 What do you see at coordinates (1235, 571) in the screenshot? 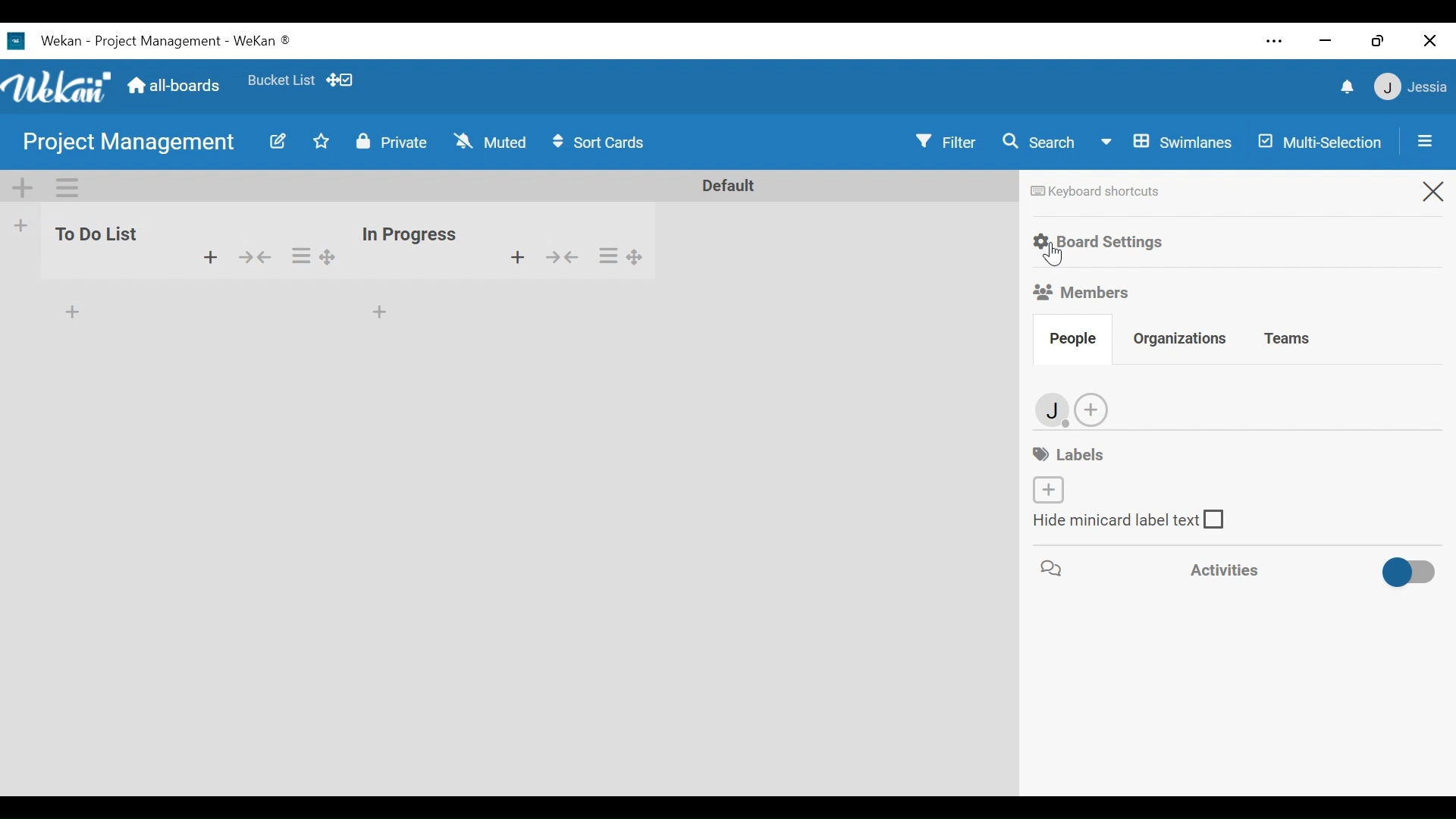
I see `Toggle Activities` at bounding box center [1235, 571].